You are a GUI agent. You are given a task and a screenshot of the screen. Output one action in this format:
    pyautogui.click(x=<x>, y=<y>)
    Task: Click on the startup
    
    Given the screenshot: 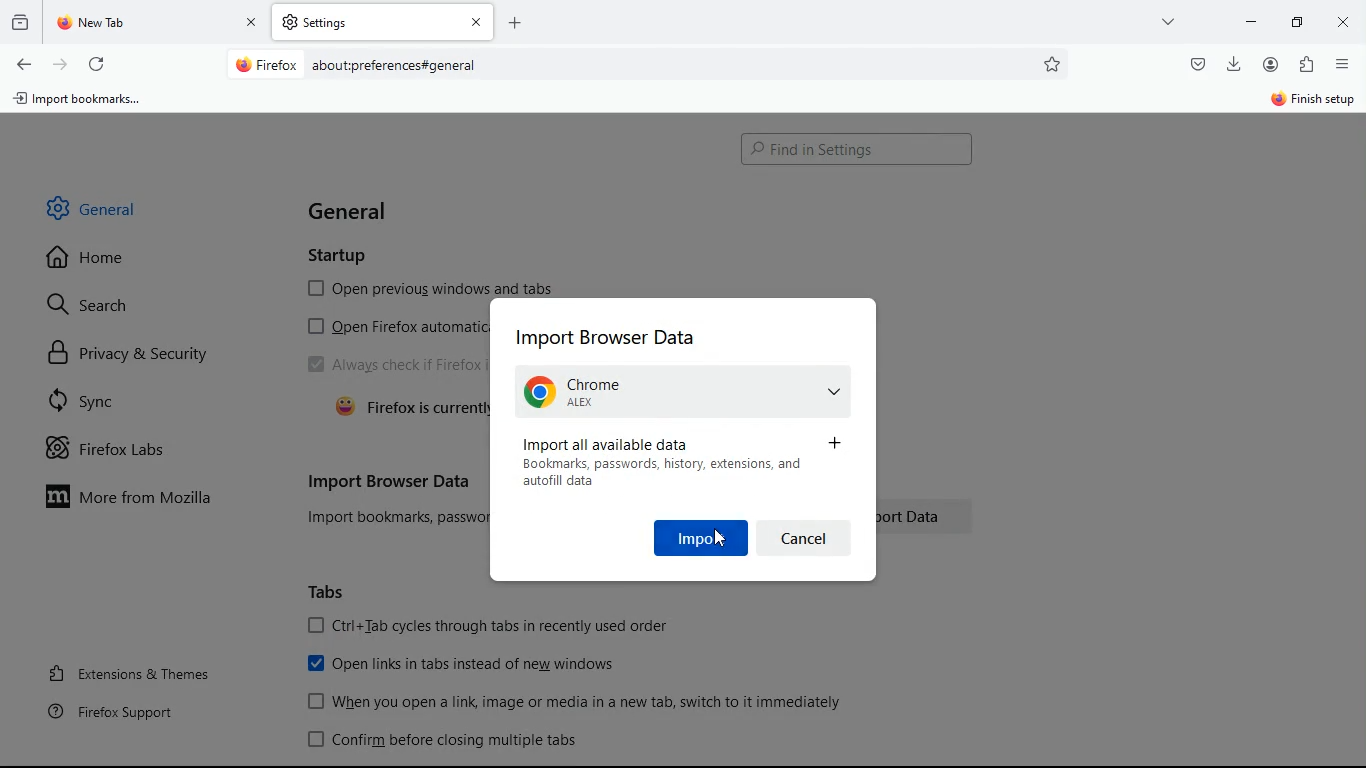 What is the action you would take?
    pyautogui.click(x=342, y=252)
    